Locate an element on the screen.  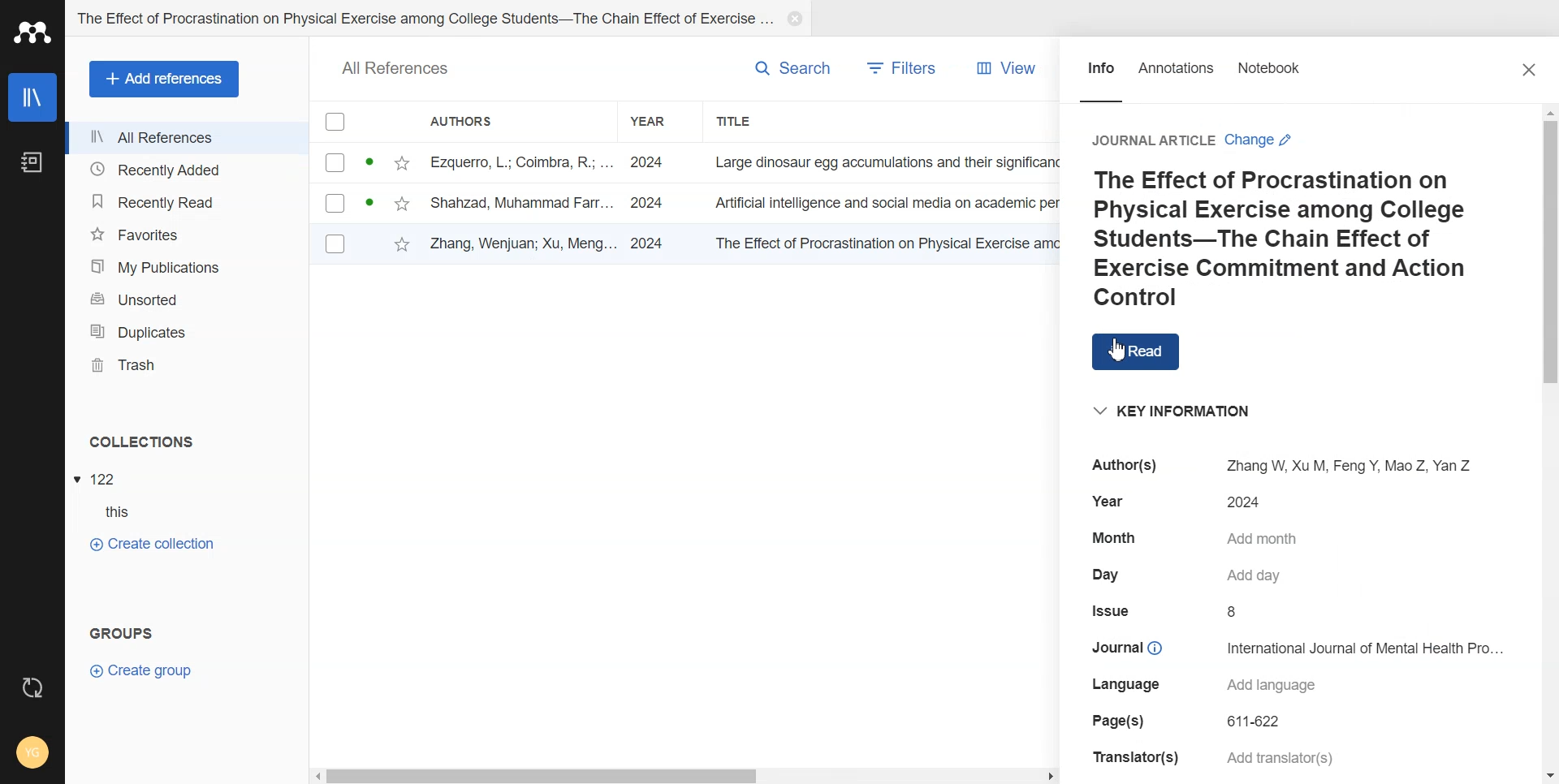
Key Information is located at coordinates (1162, 407).